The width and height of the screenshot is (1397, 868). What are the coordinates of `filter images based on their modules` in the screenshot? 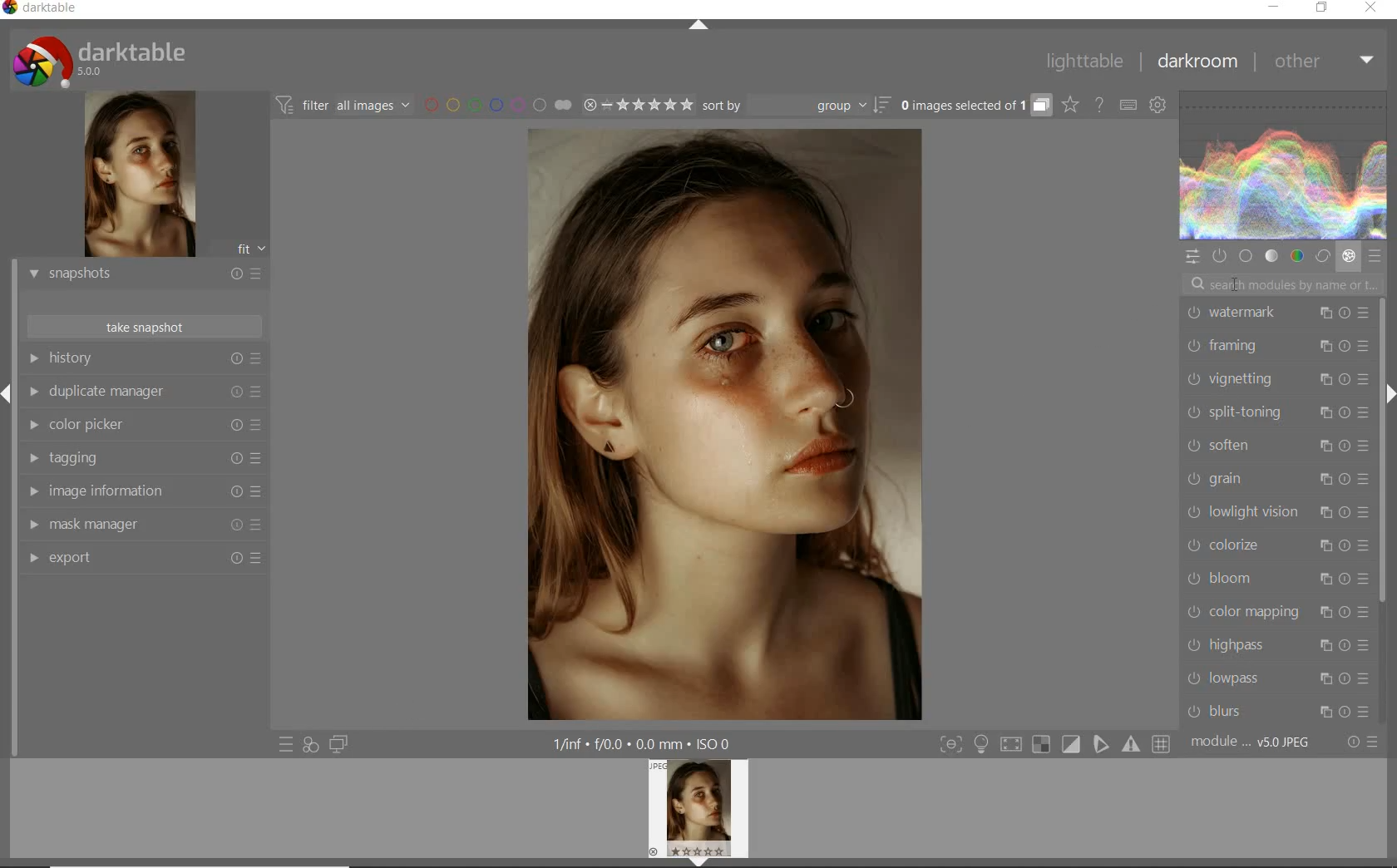 It's located at (341, 104).